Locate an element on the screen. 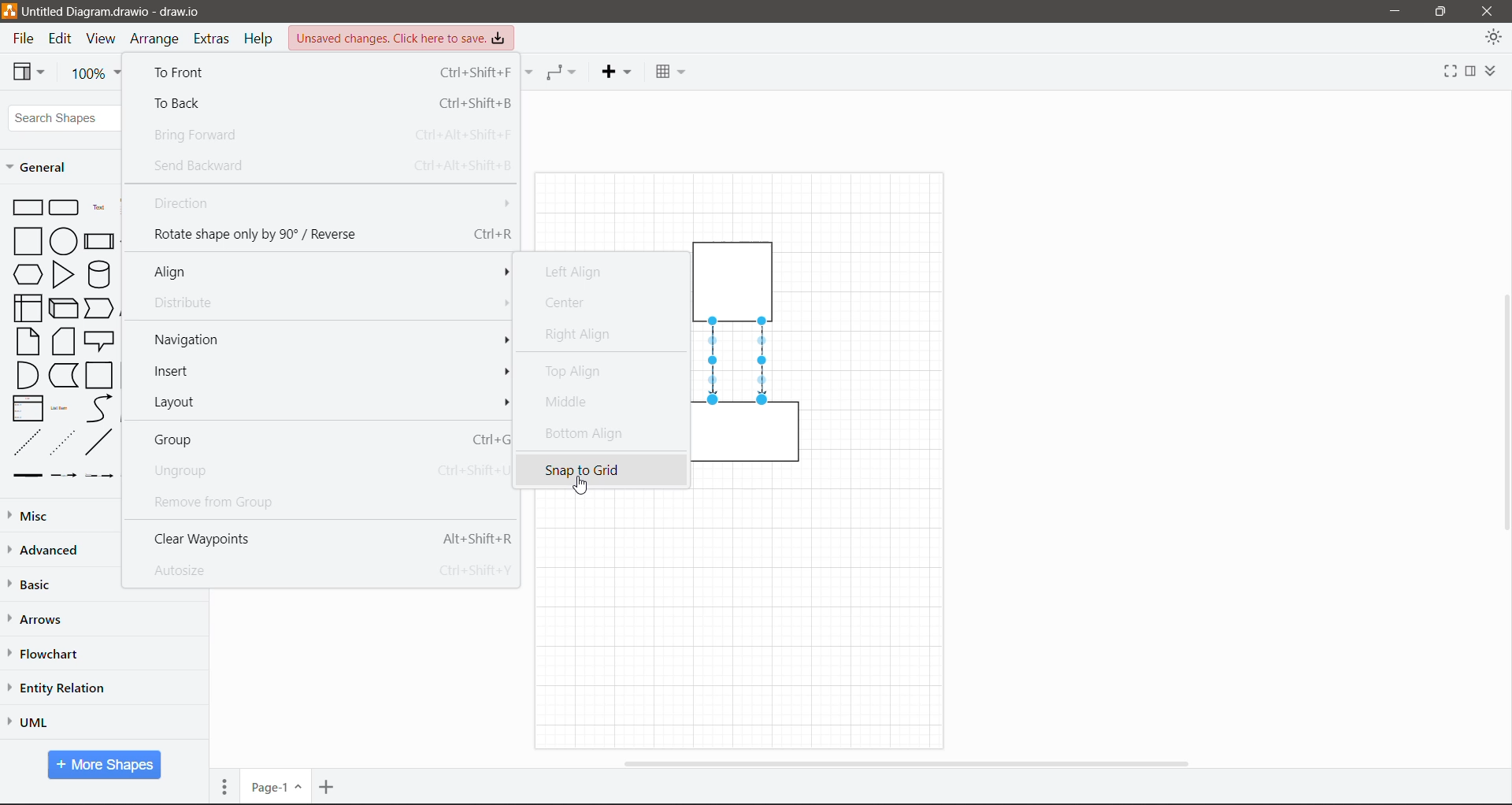 The height and width of the screenshot is (805, 1512). Square is located at coordinates (26, 240).